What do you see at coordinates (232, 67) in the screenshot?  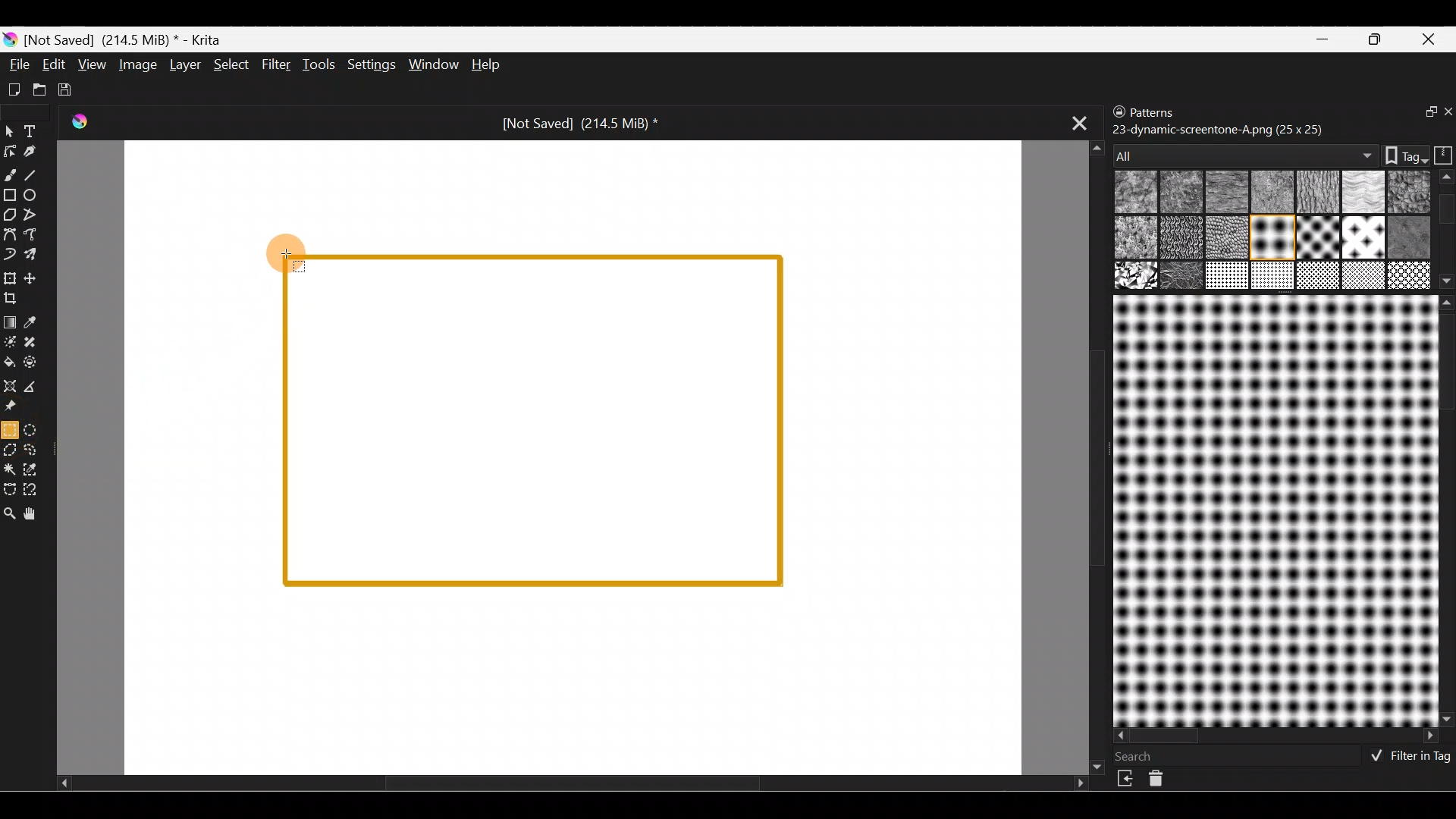 I see `Select` at bounding box center [232, 67].